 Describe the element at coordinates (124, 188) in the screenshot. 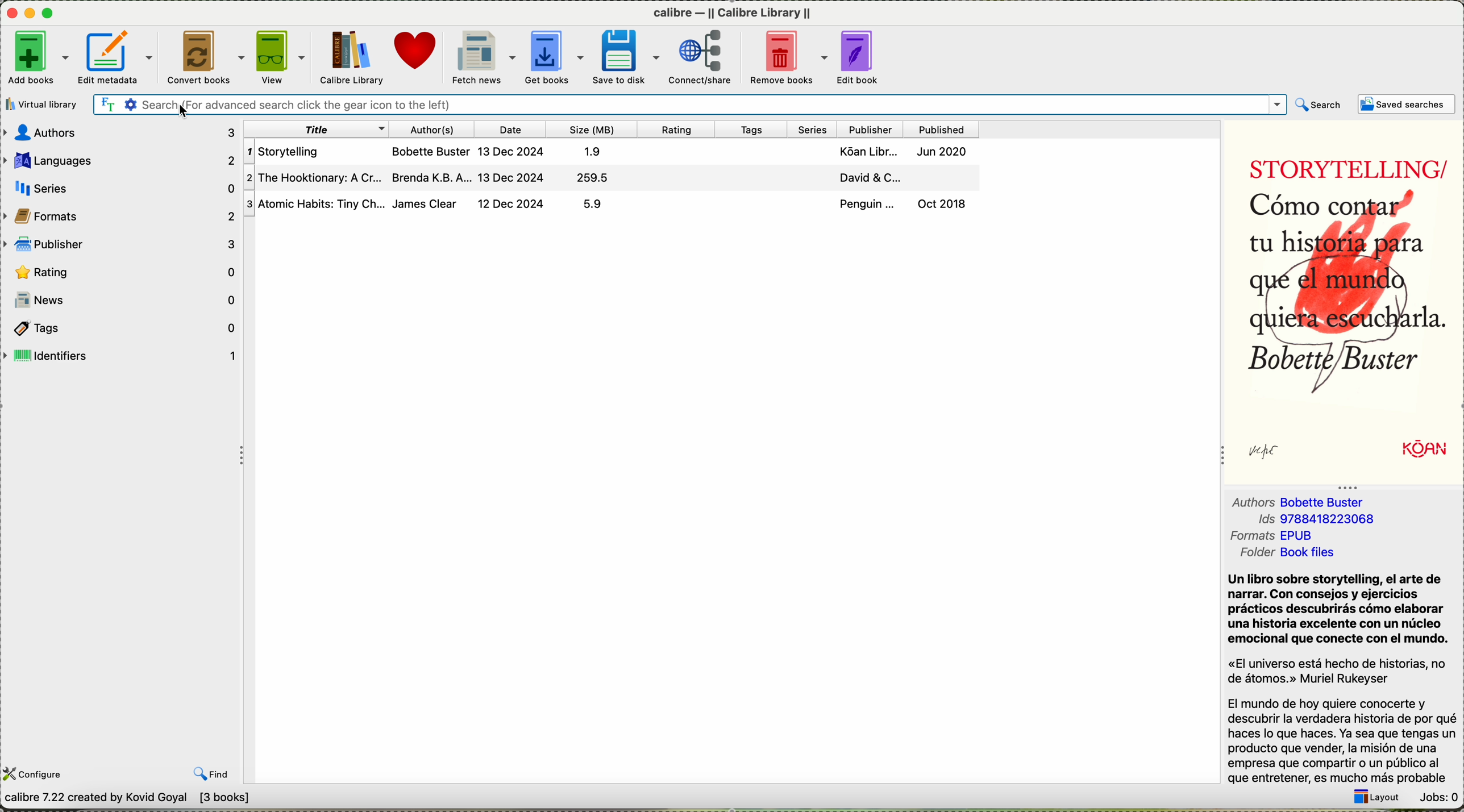

I see `series` at that location.